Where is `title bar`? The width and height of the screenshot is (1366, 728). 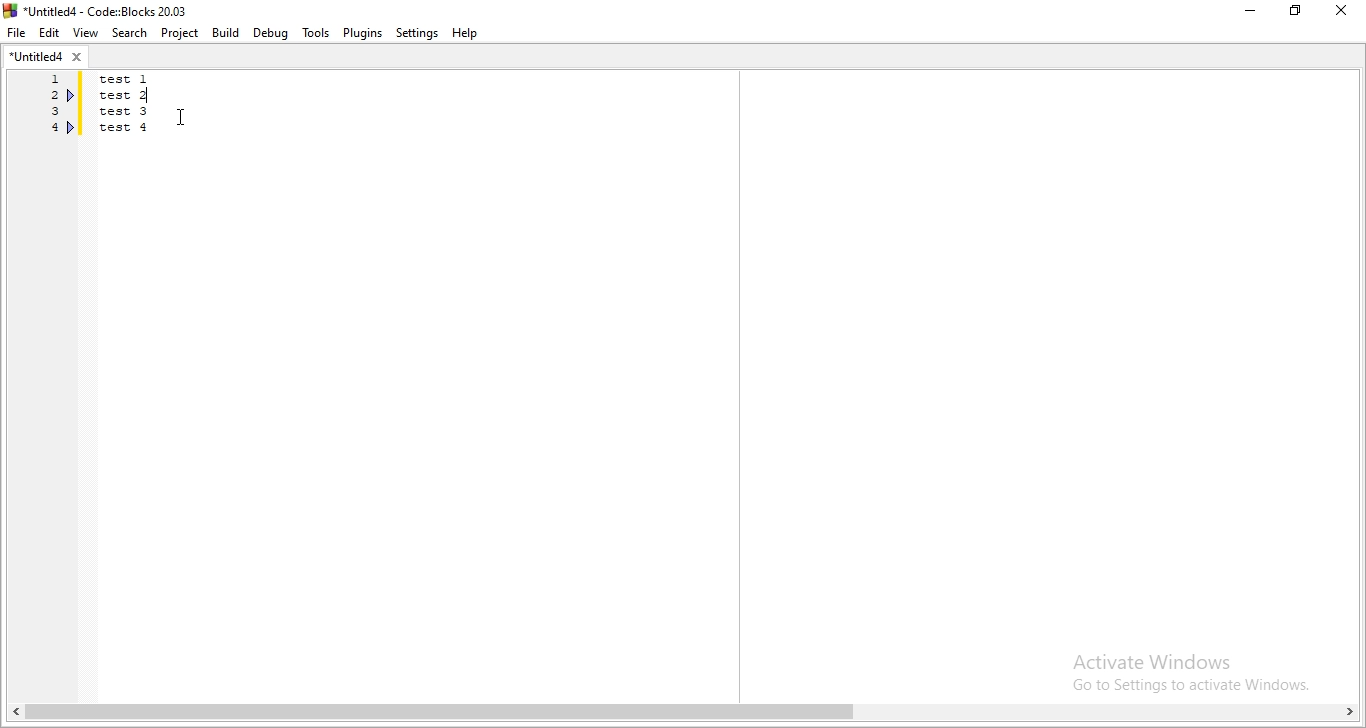
title bar is located at coordinates (105, 10).